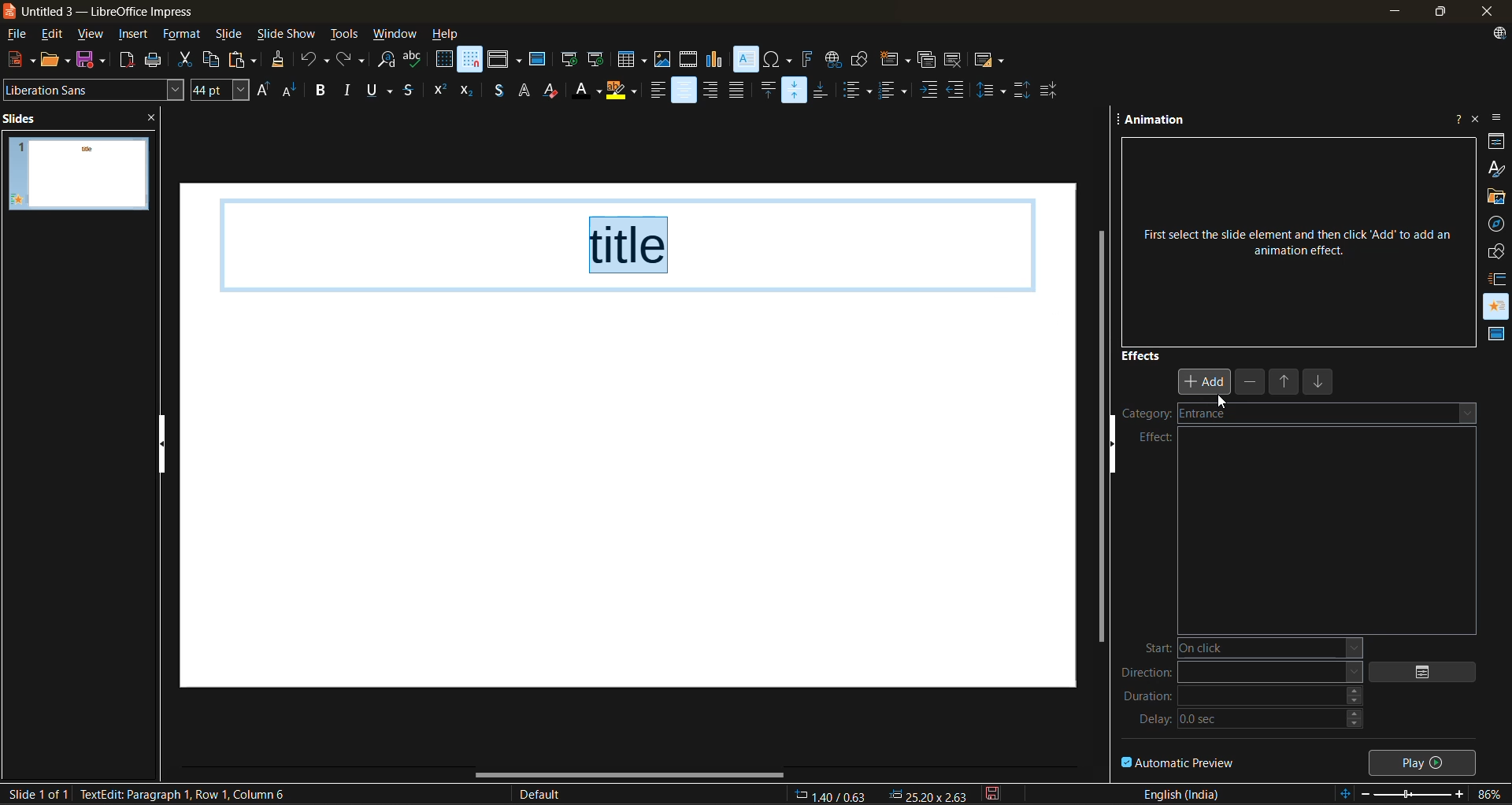  I want to click on export directly as PDF, so click(128, 61).